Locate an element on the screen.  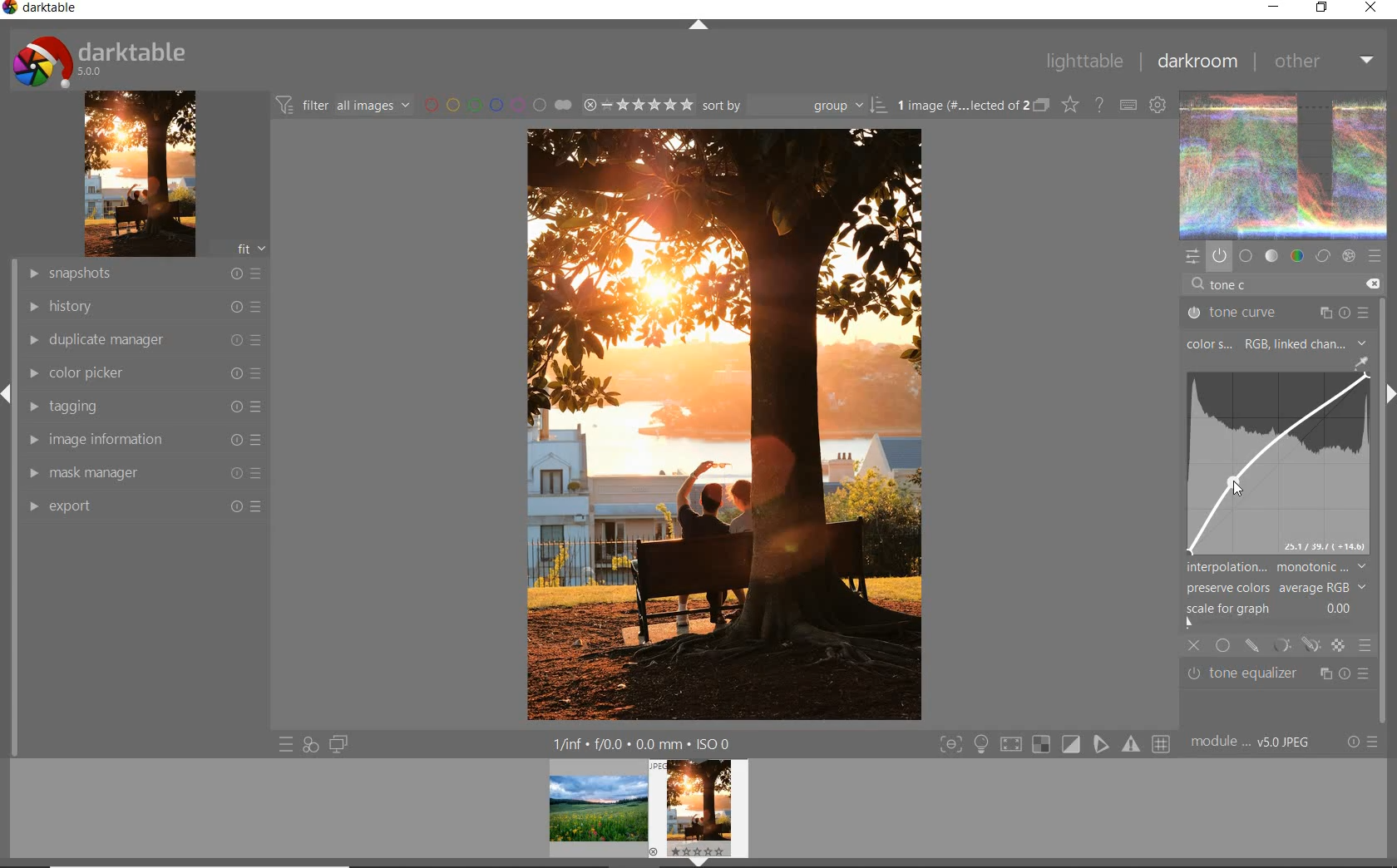
image preview is located at coordinates (647, 806).